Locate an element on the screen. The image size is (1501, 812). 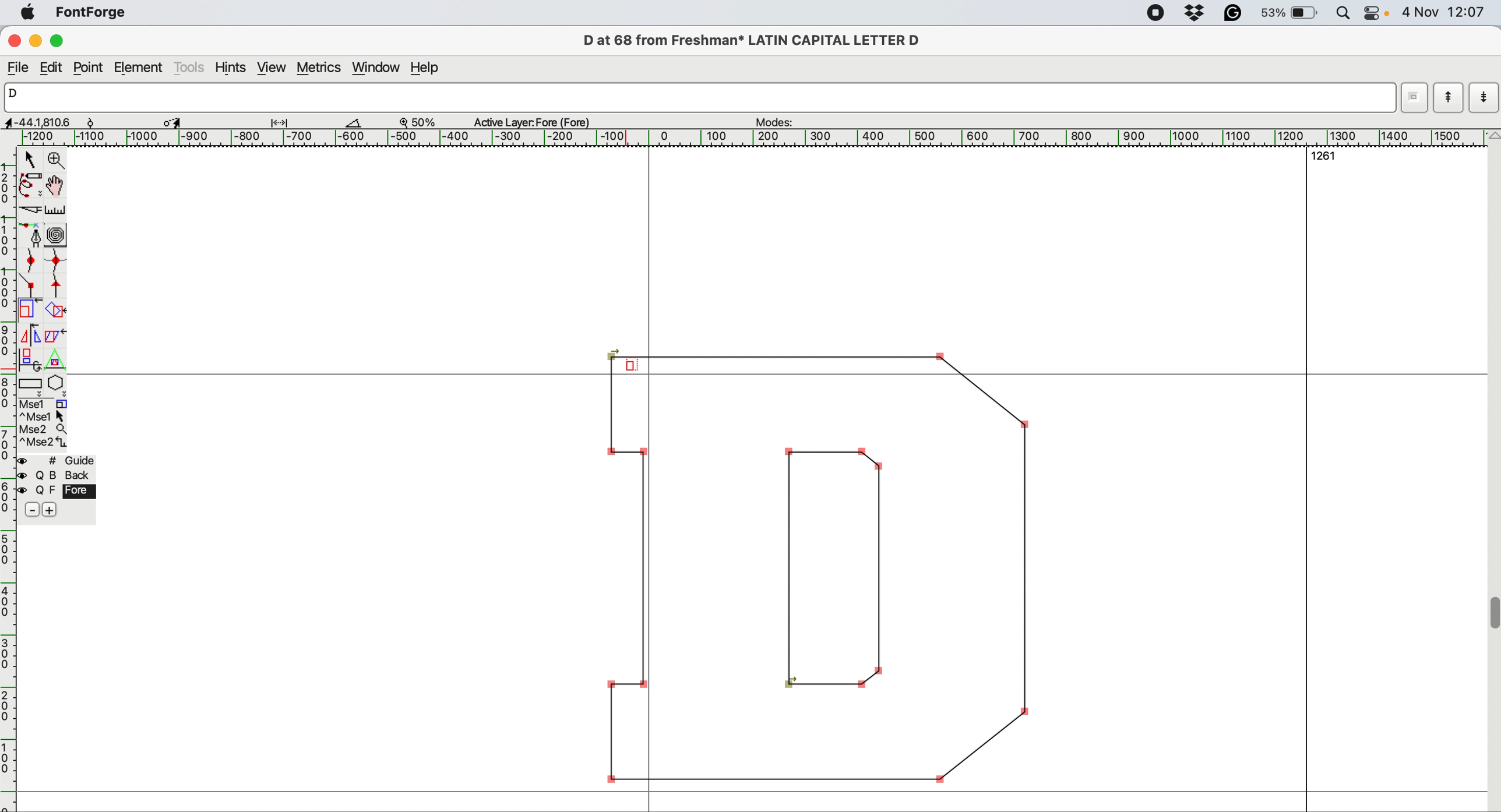
skew the selection is located at coordinates (55, 336).